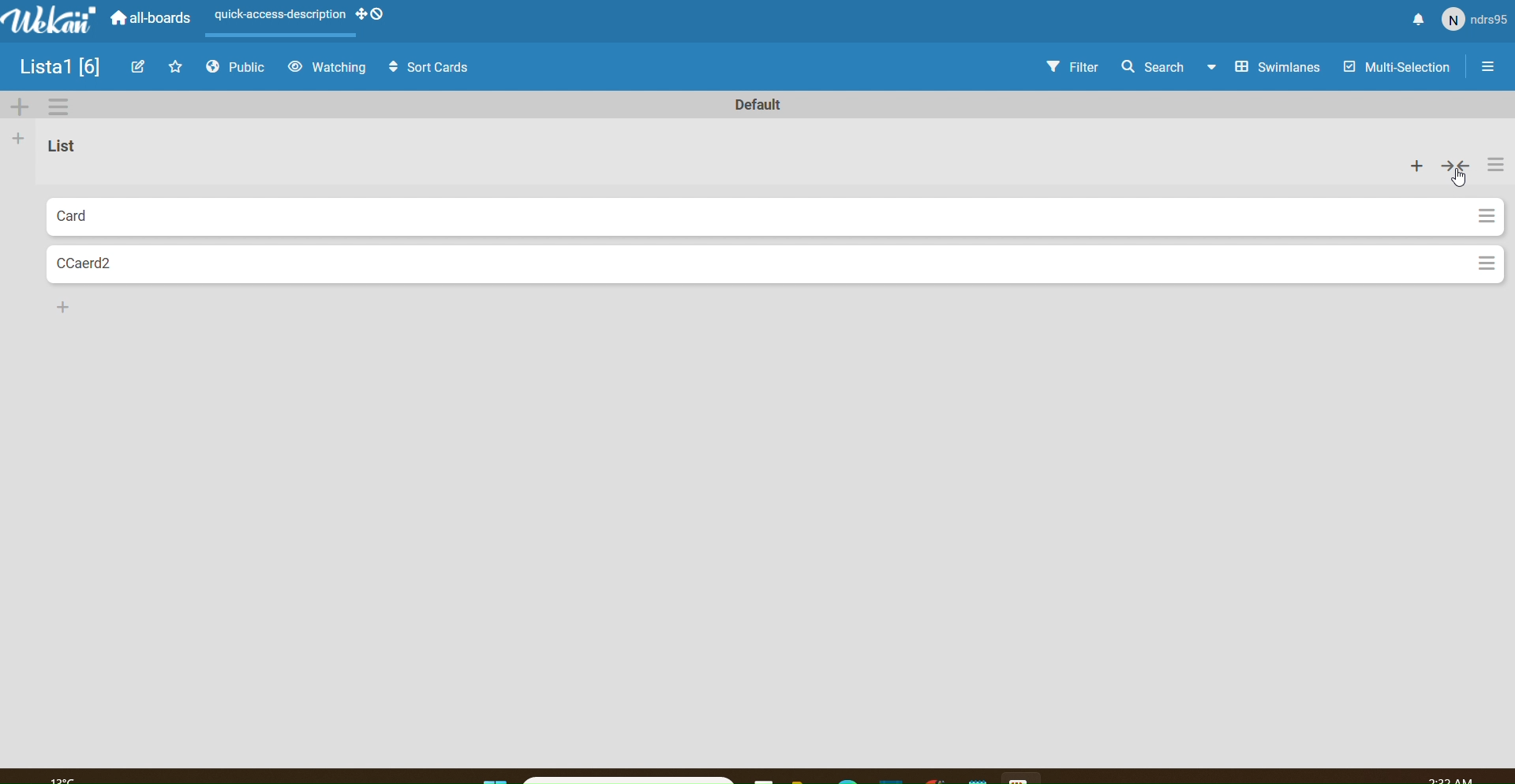 The height and width of the screenshot is (784, 1515). I want to click on Public, so click(238, 66).